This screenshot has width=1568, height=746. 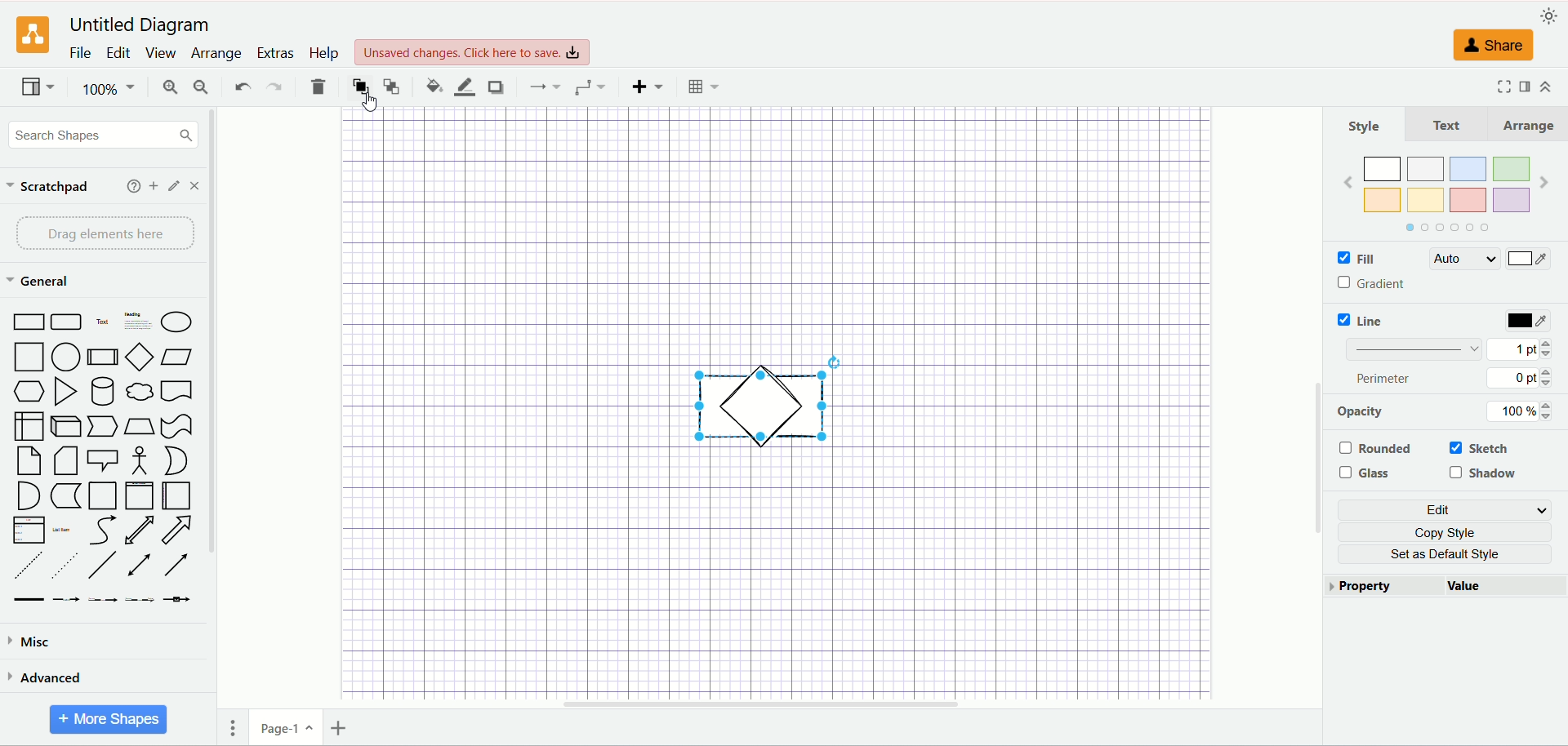 What do you see at coordinates (1545, 86) in the screenshot?
I see `collapse/expand` at bounding box center [1545, 86].